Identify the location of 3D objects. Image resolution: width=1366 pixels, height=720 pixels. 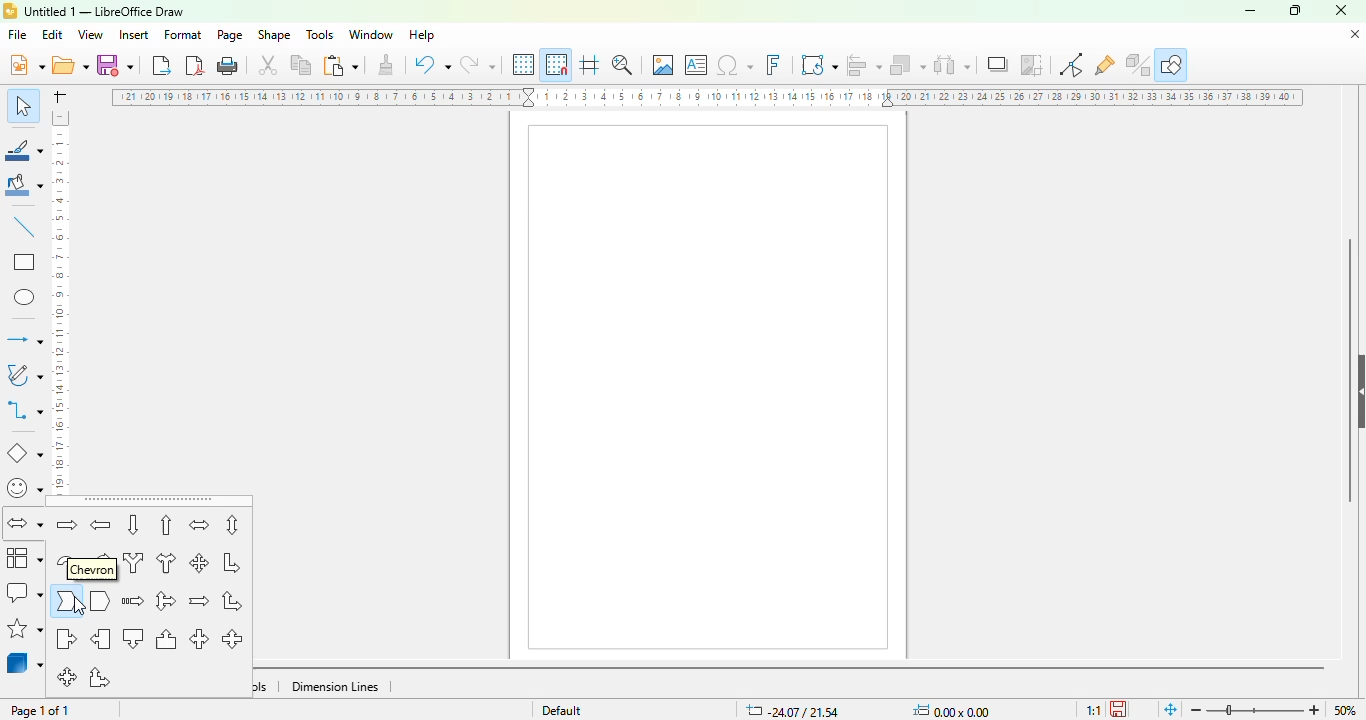
(25, 661).